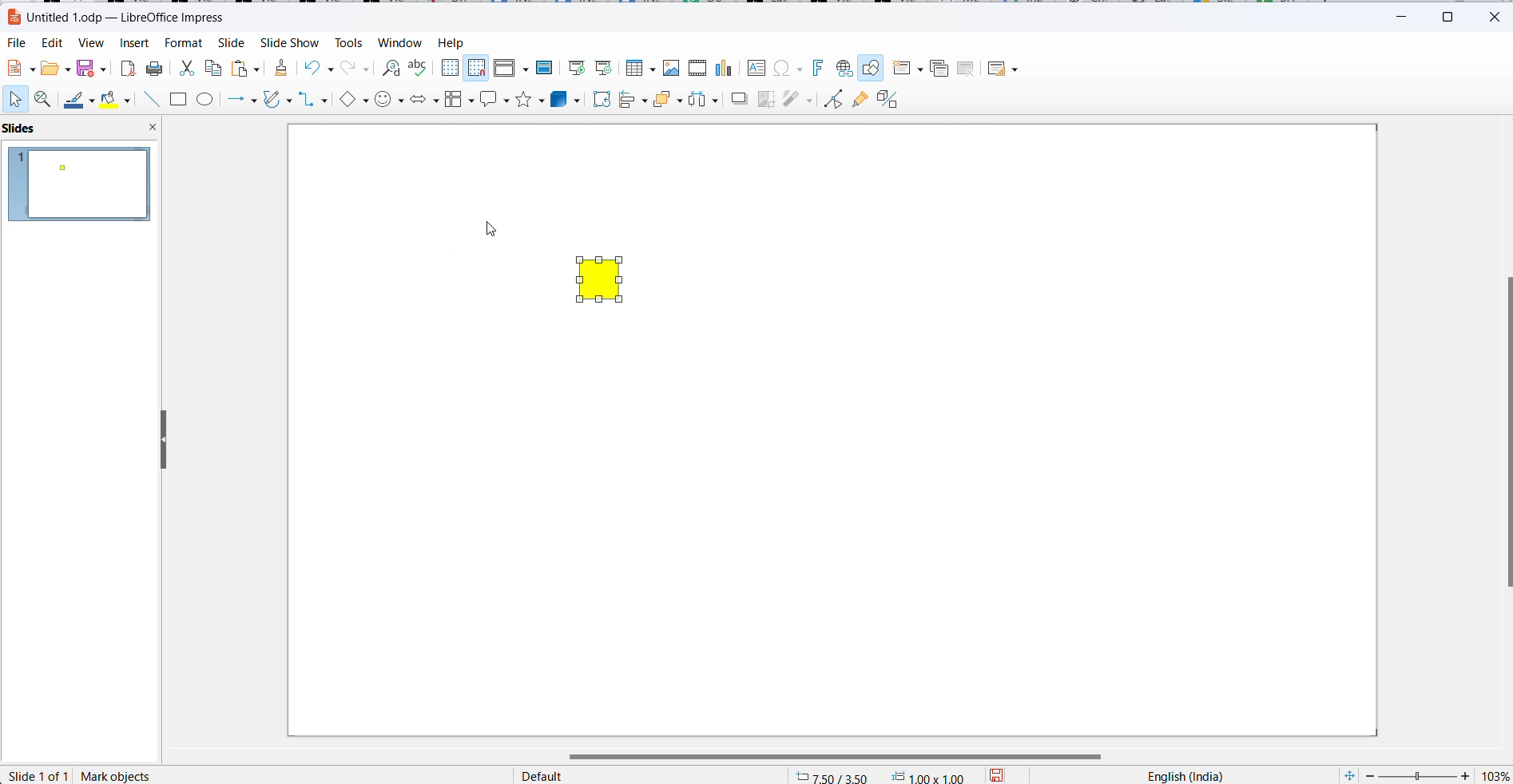  What do you see at coordinates (477, 68) in the screenshot?
I see `Snap to grid` at bounding box center [477, 68].